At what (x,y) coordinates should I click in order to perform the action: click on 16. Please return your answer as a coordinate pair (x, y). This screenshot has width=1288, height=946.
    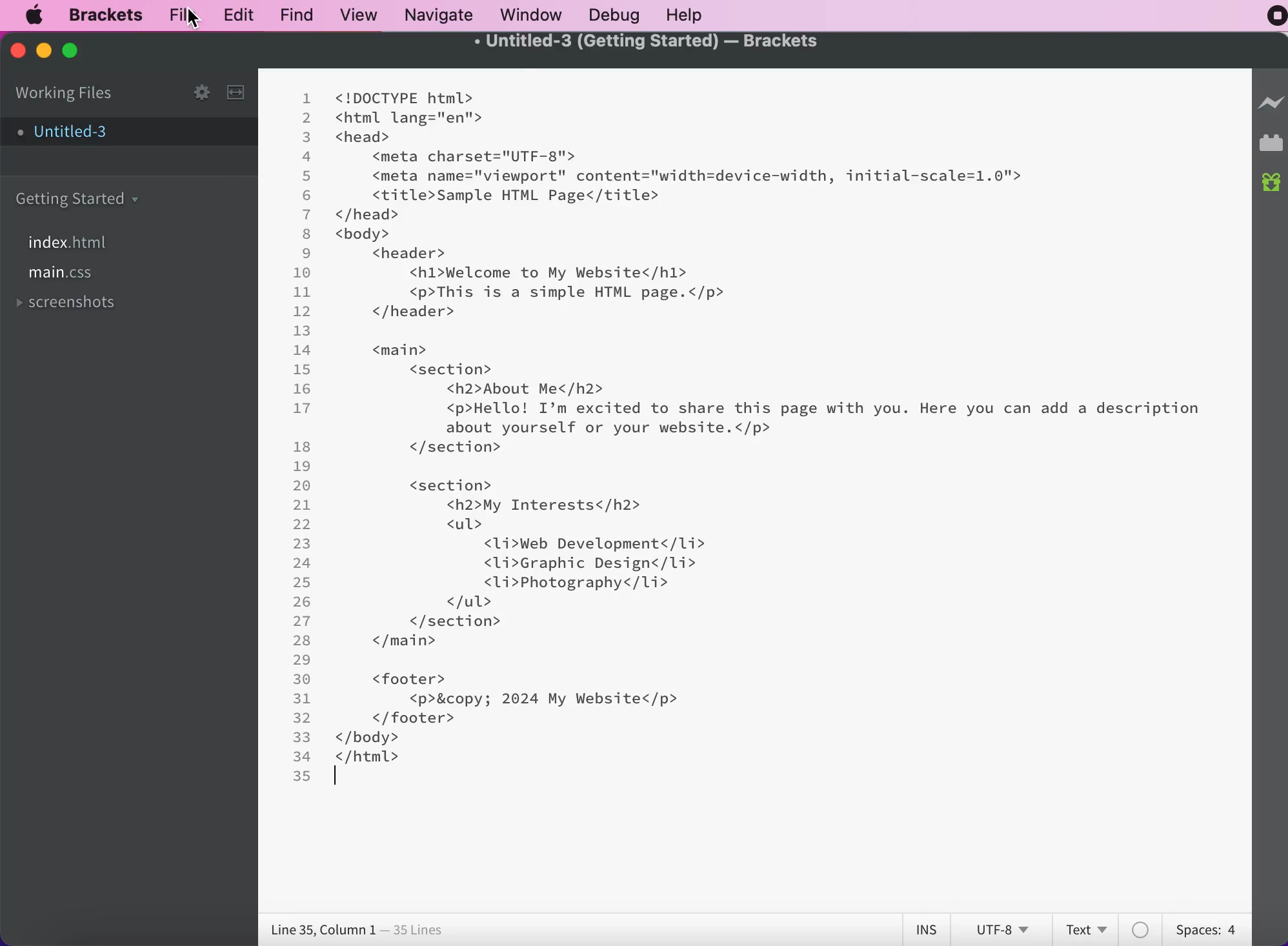
    Looking at the image, I should click on (303, 389).